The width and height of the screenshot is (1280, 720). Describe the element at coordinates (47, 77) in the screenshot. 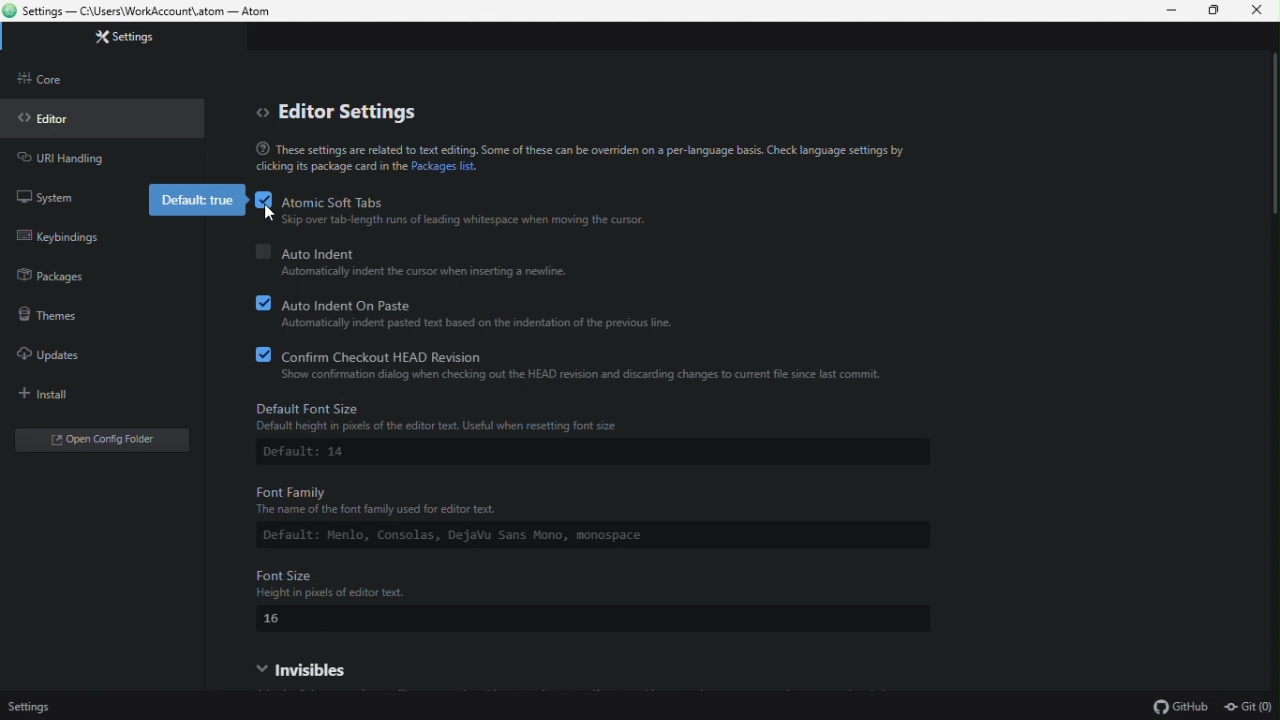

I see `` at that location.